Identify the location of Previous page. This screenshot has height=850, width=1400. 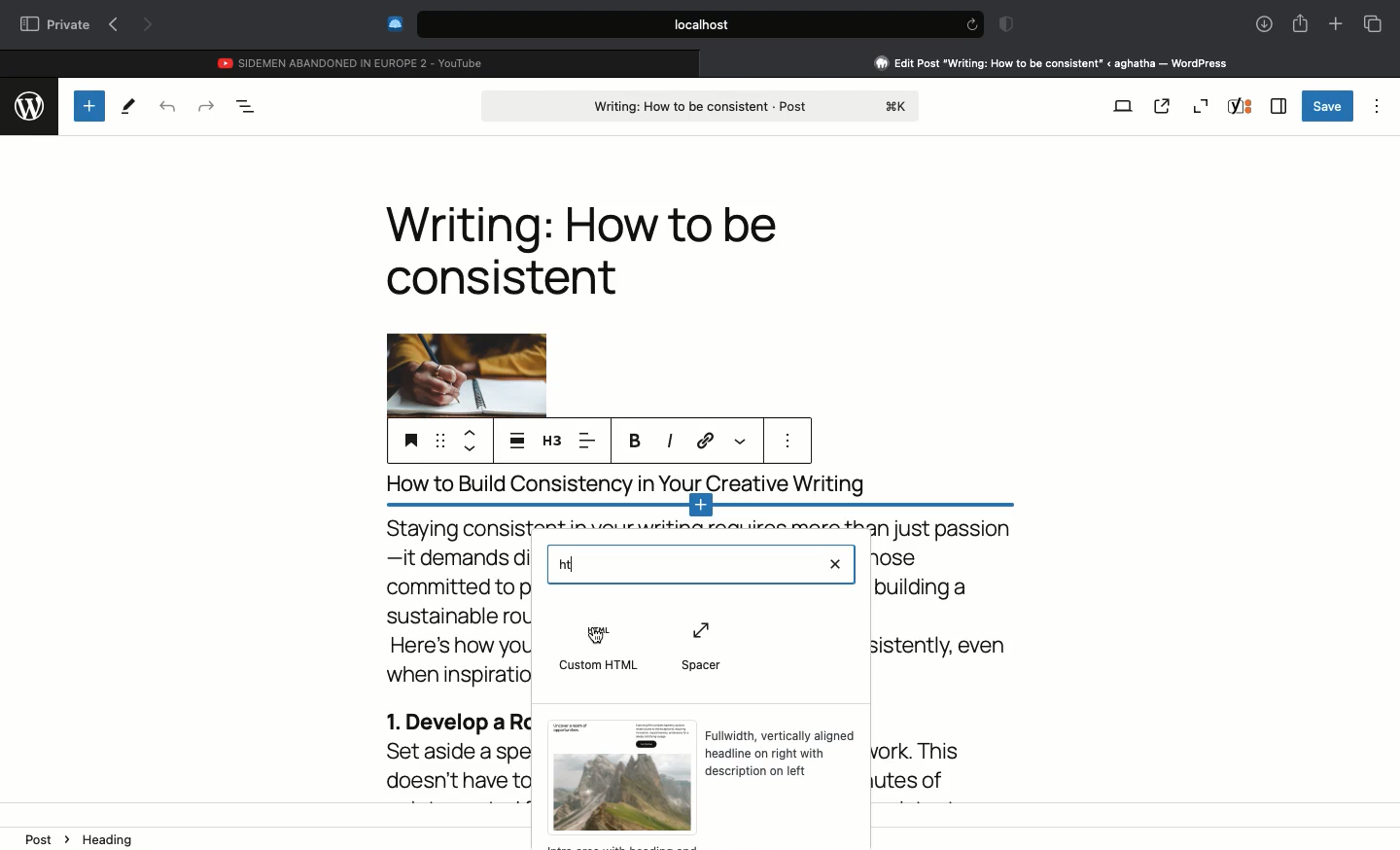
(113, 25).